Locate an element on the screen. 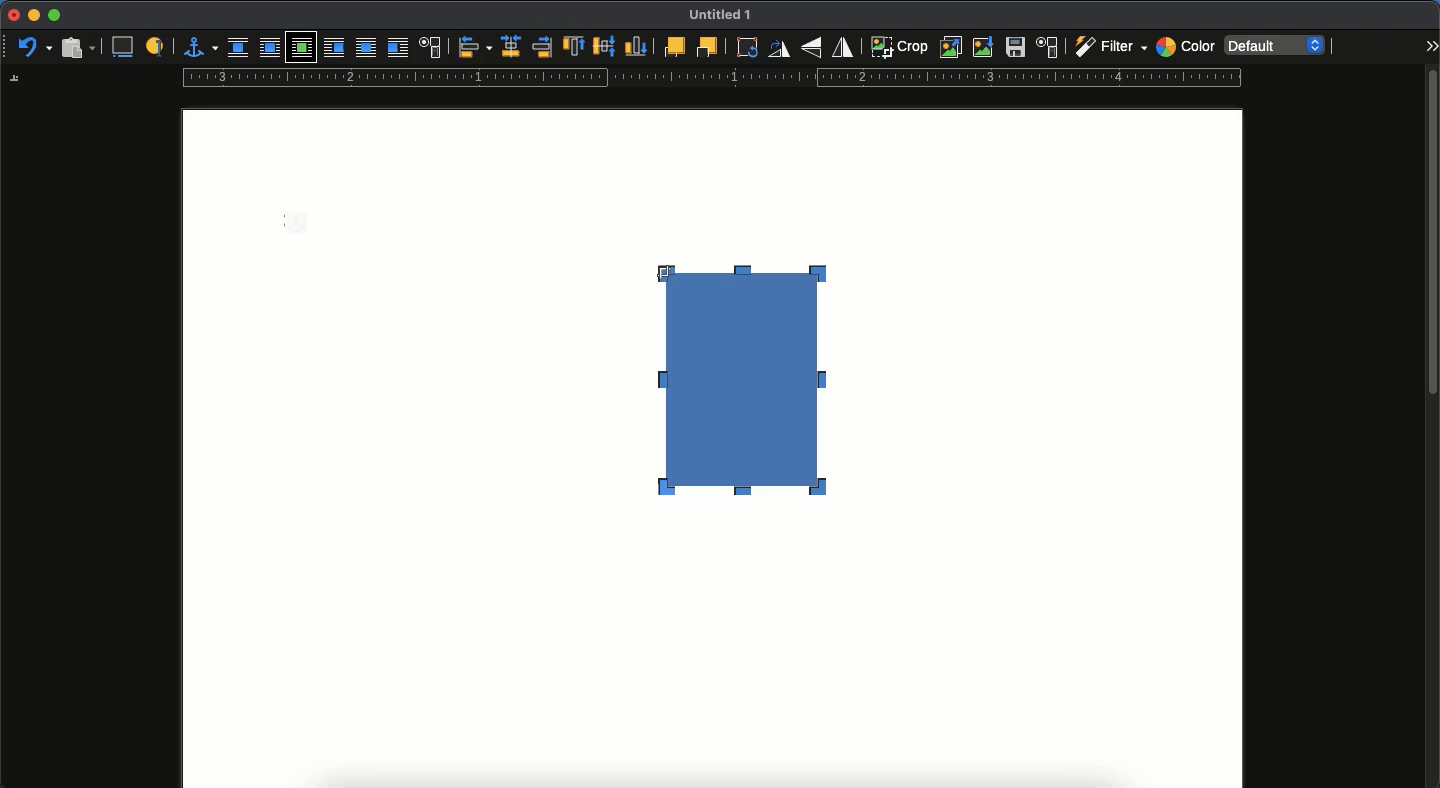 The height and width of the screenshot is (788, 1440). mouse up is located at coordinates (663, 271).